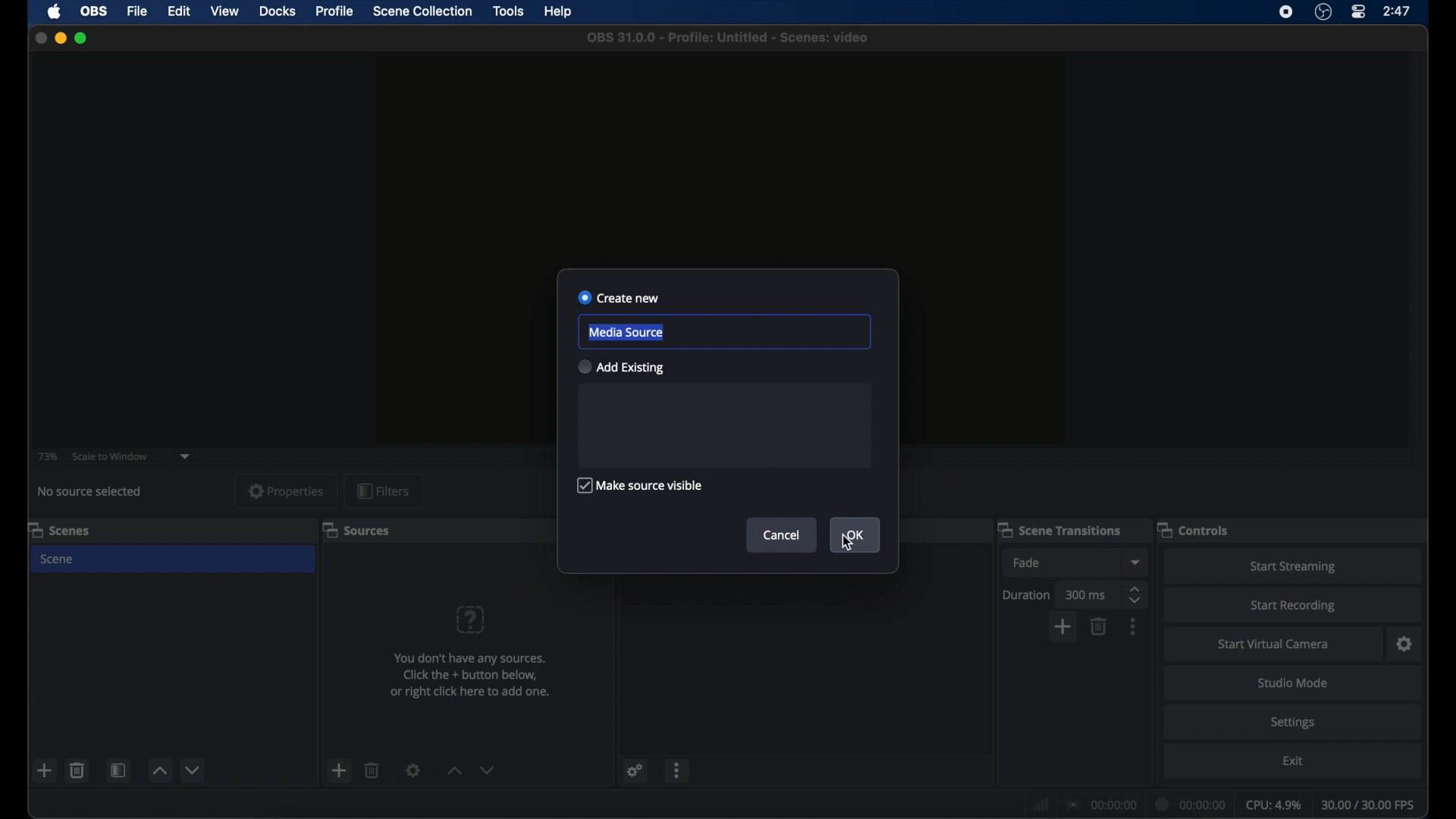  Describe the element at coordinates (335, 11) in the screenshot. I see `profile` at that location.